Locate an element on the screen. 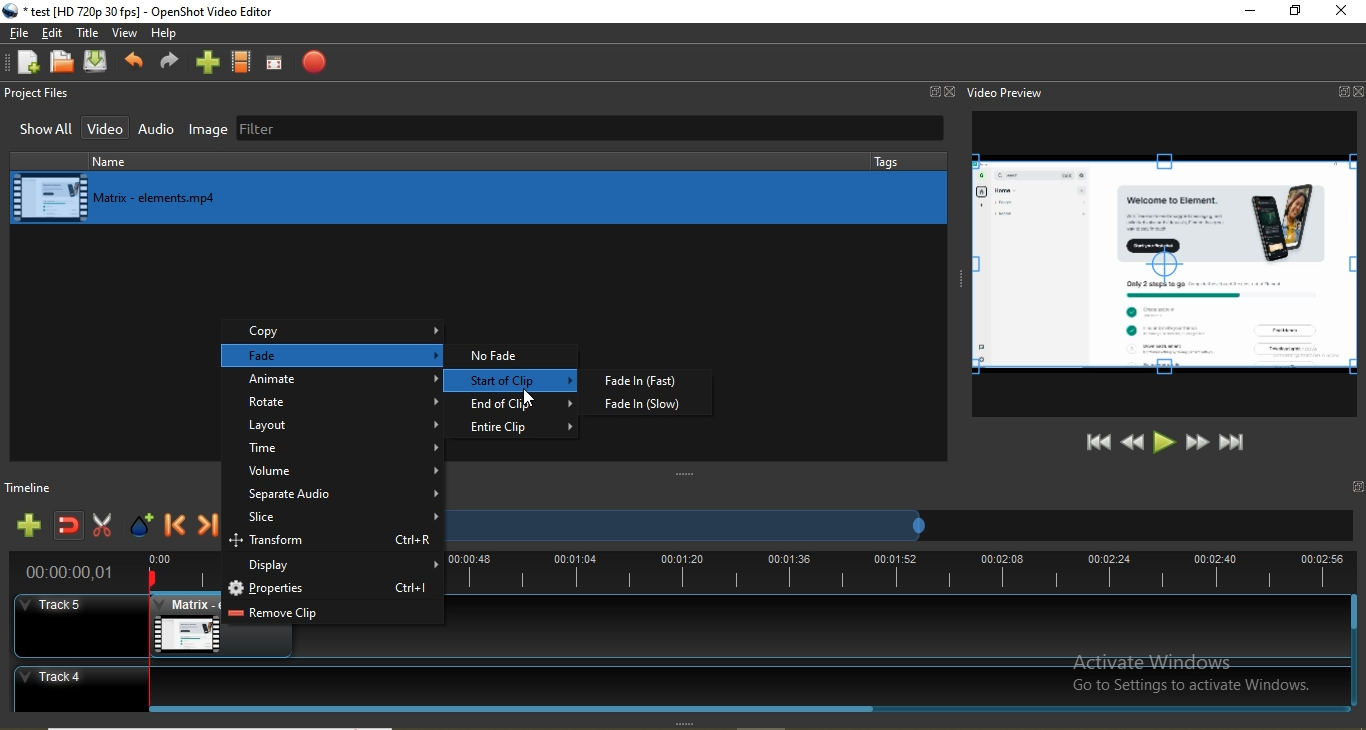  name is located at coordinates (160, 161).